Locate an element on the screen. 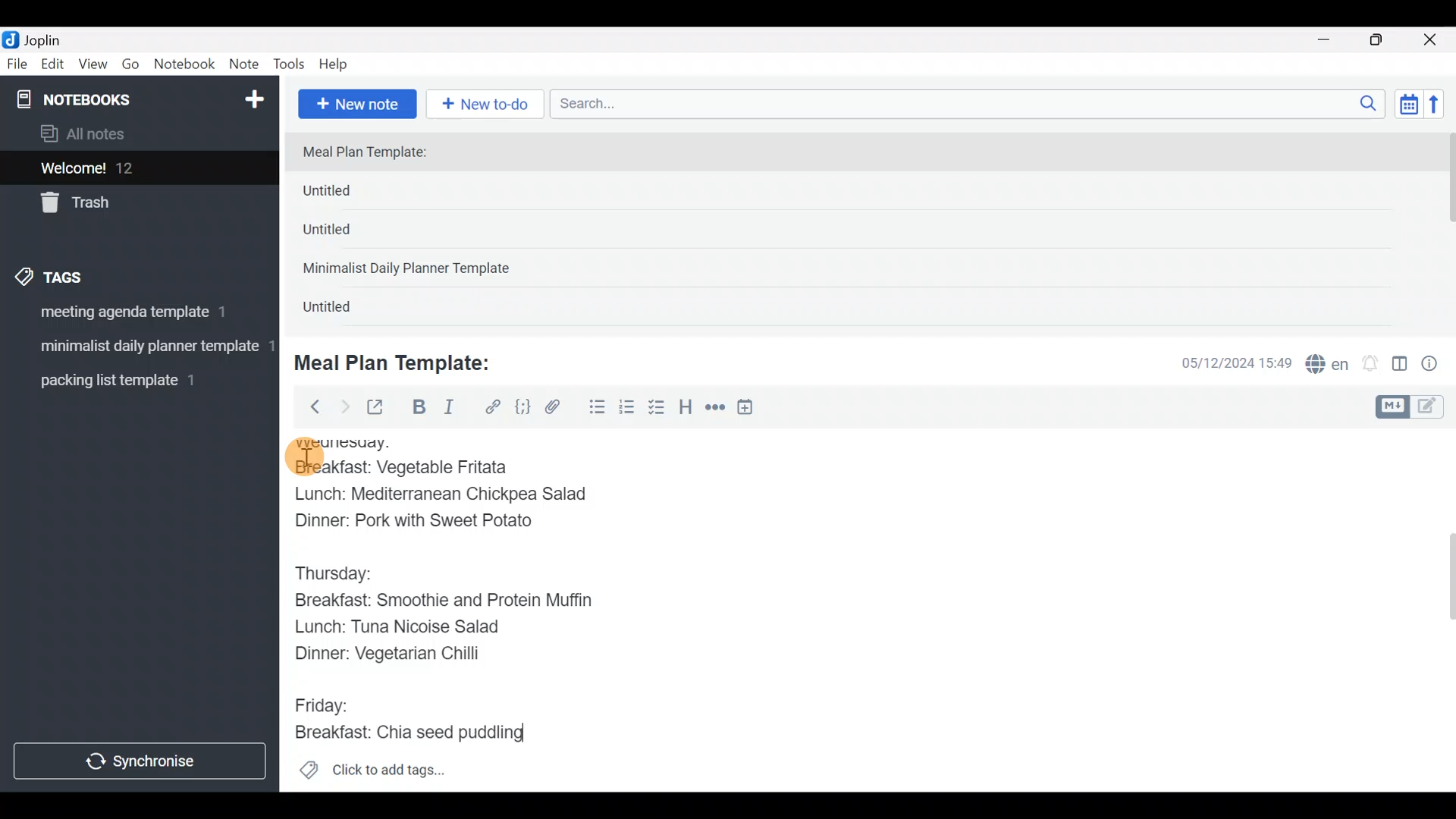 The height and width of the screenshot is (819, 1456). New is located at coordinates (253, 96).